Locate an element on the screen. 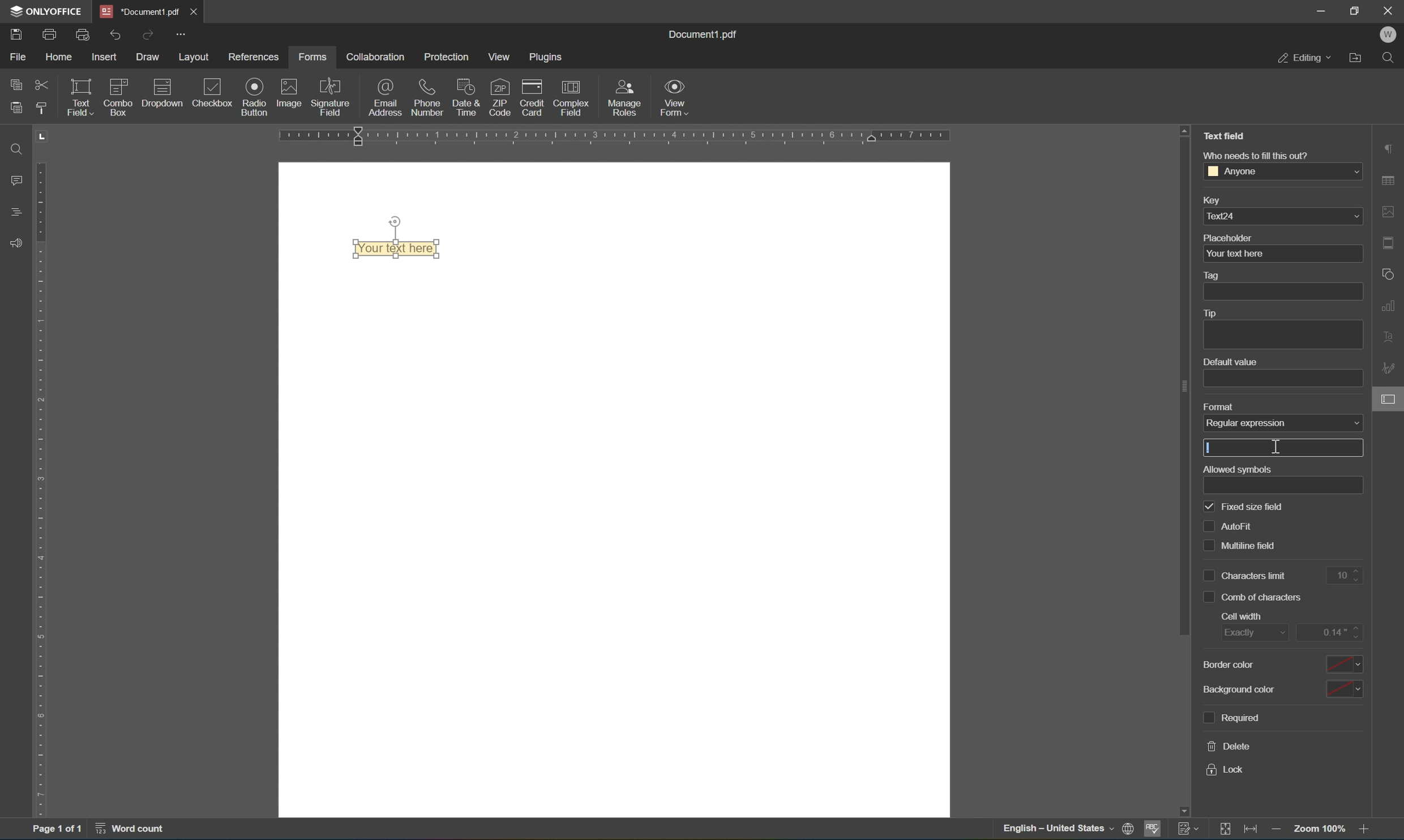  date and time is located at coordinates (466, 96).